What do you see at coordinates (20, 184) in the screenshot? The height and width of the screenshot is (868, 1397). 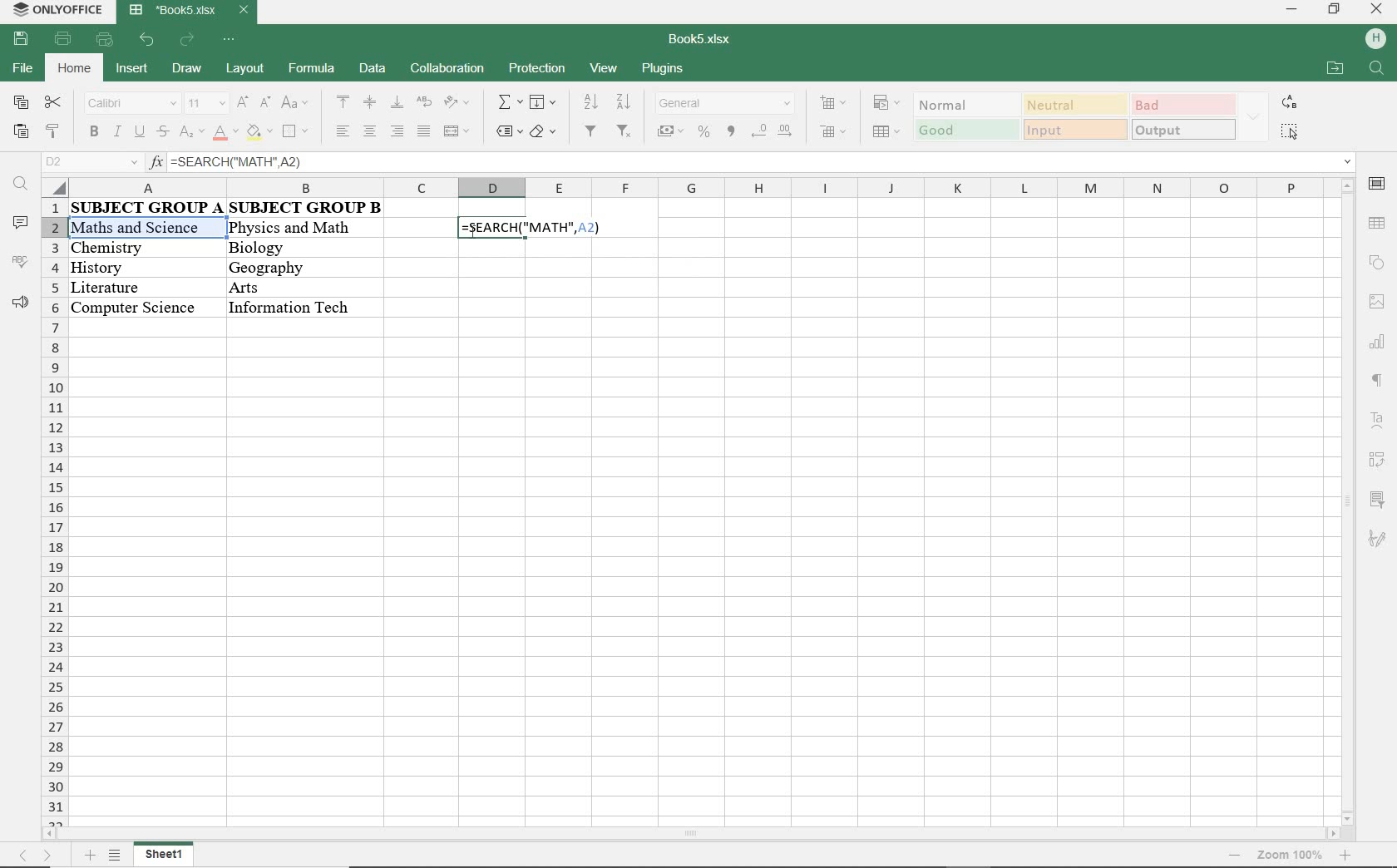 I see `find` at bounding box center [20, 184].